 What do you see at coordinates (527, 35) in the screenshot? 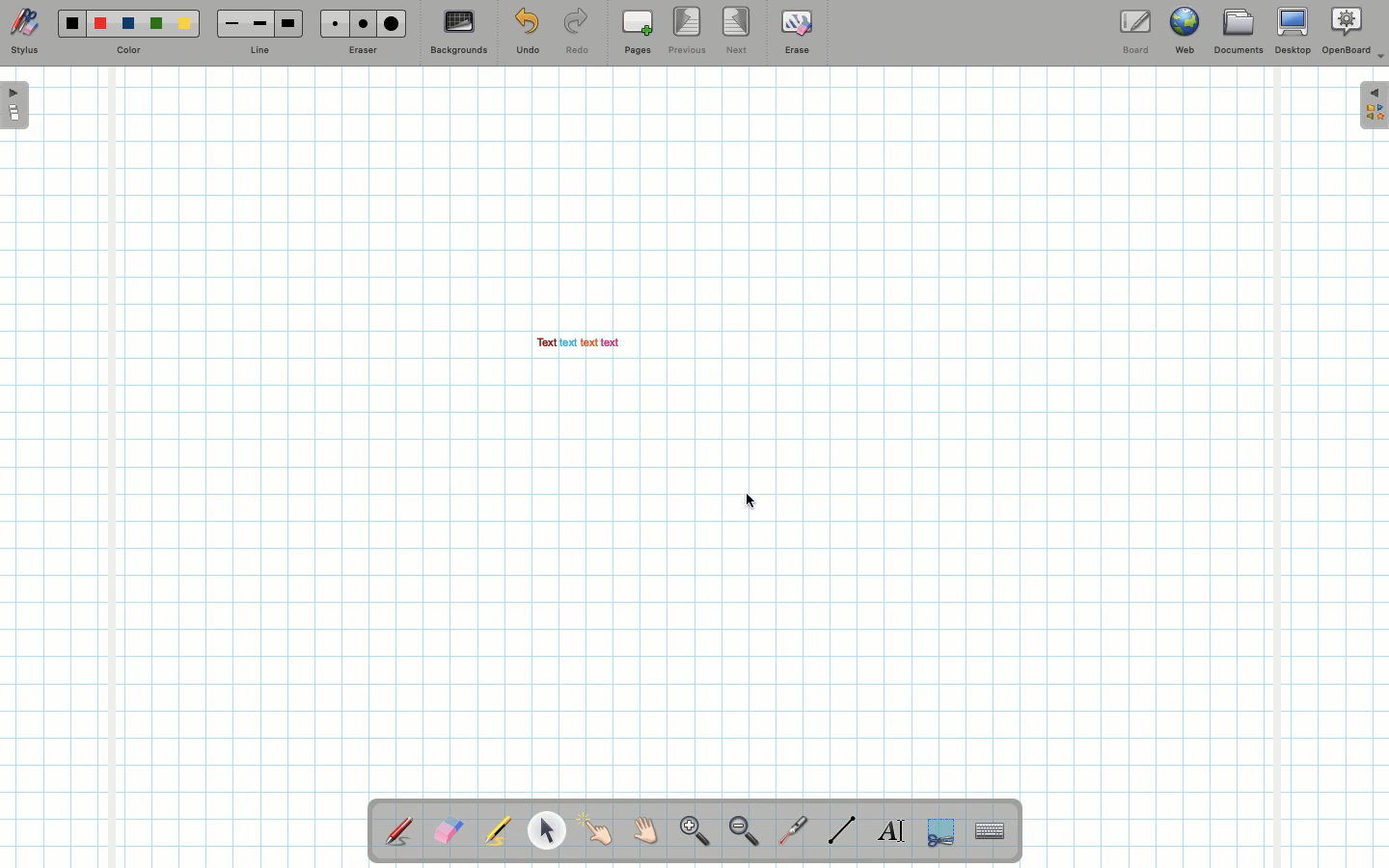
I see `Undo` at bounding box center [527, 35].